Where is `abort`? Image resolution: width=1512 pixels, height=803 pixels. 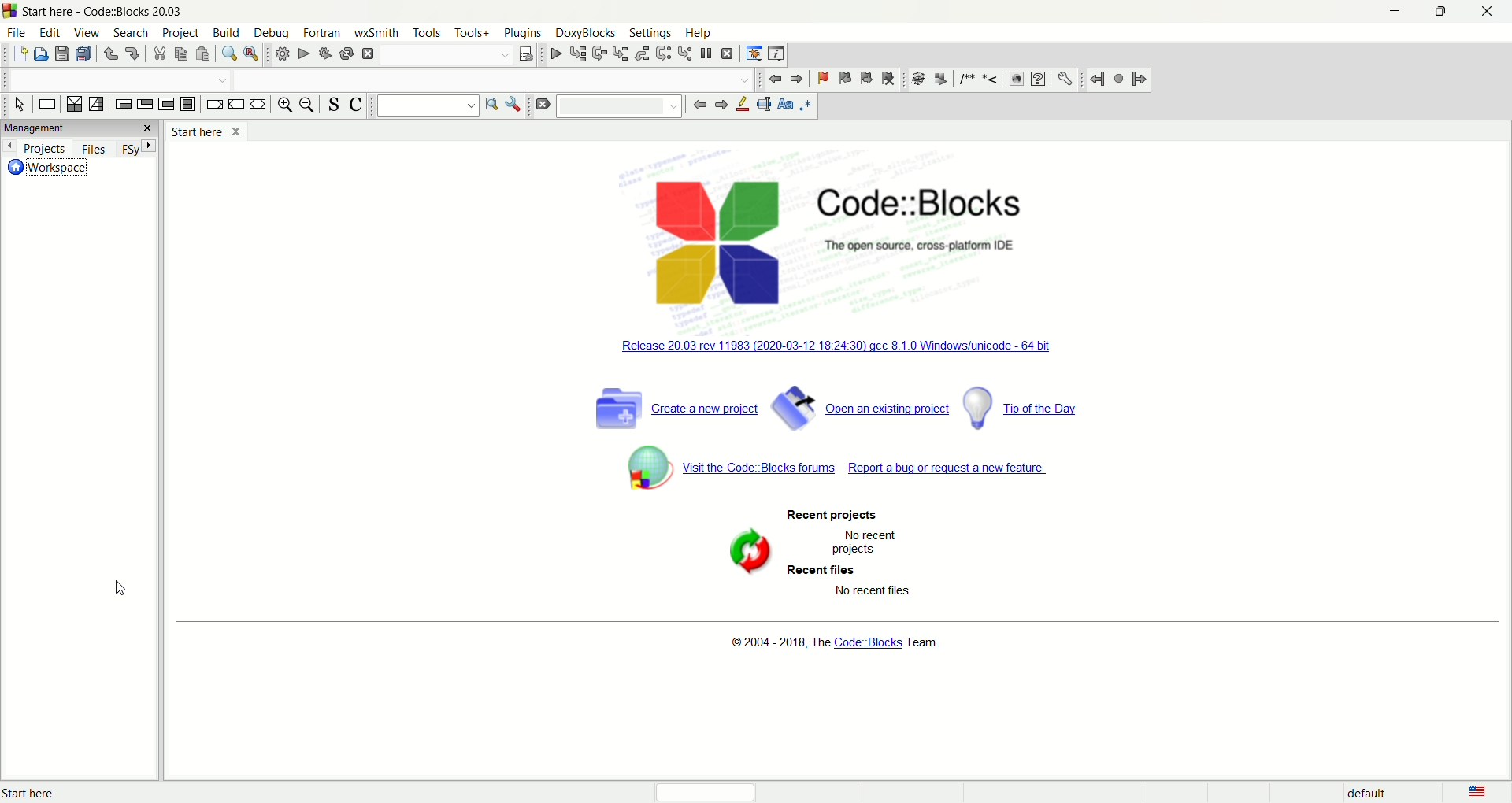
abort is located at coordinates (368, 54).